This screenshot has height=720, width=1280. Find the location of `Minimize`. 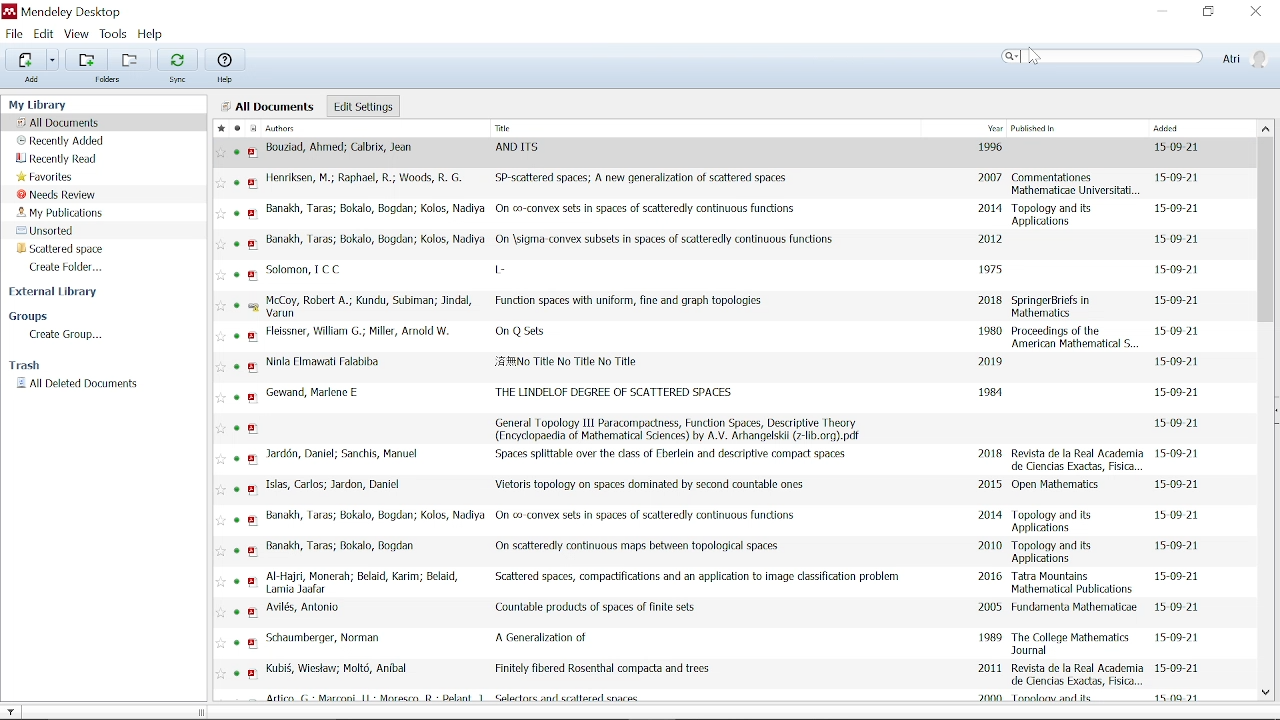

Minimize is located at coordinates (1158, 10).